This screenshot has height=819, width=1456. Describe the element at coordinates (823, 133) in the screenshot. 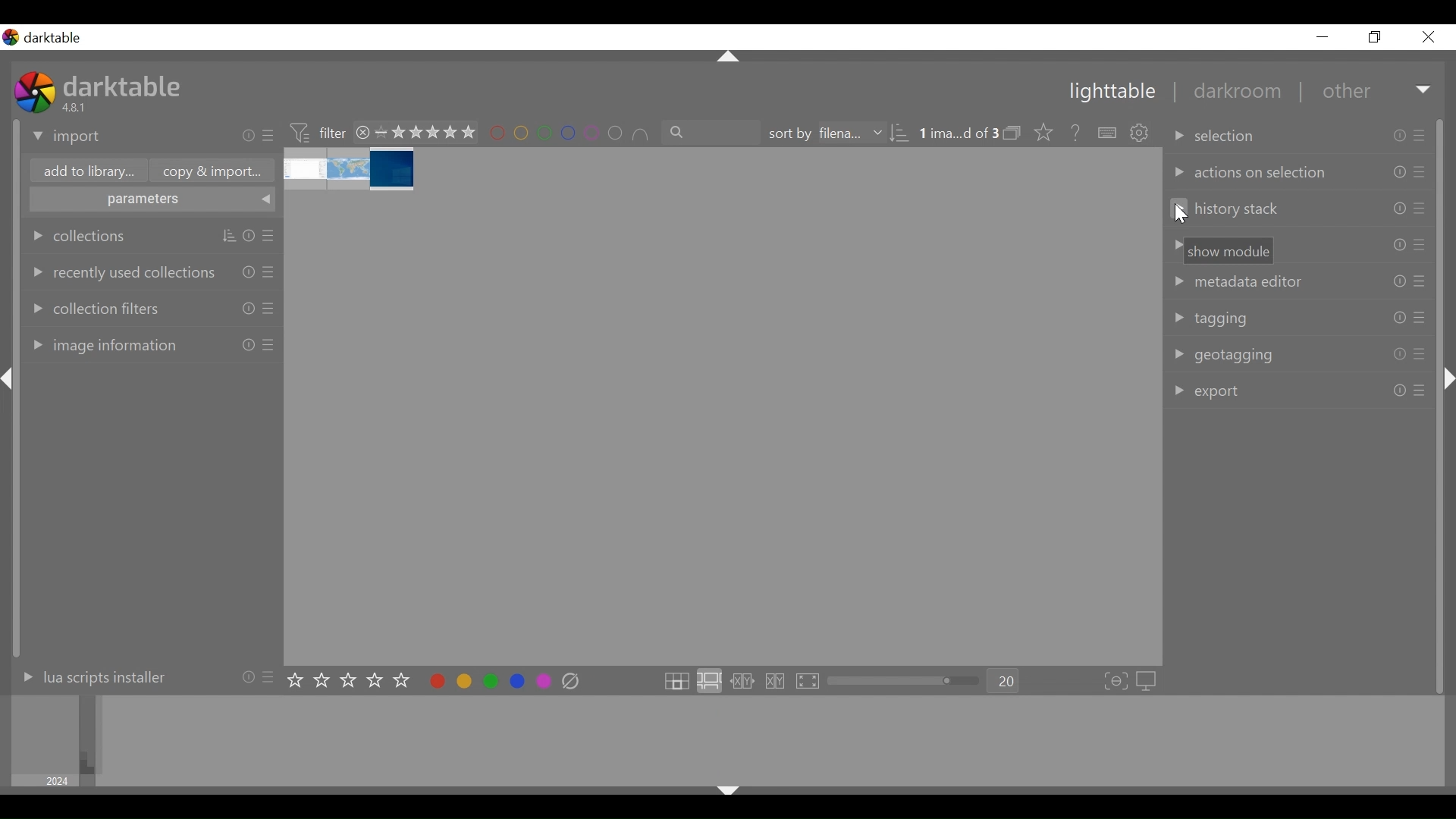

I see `sort by` at that location.